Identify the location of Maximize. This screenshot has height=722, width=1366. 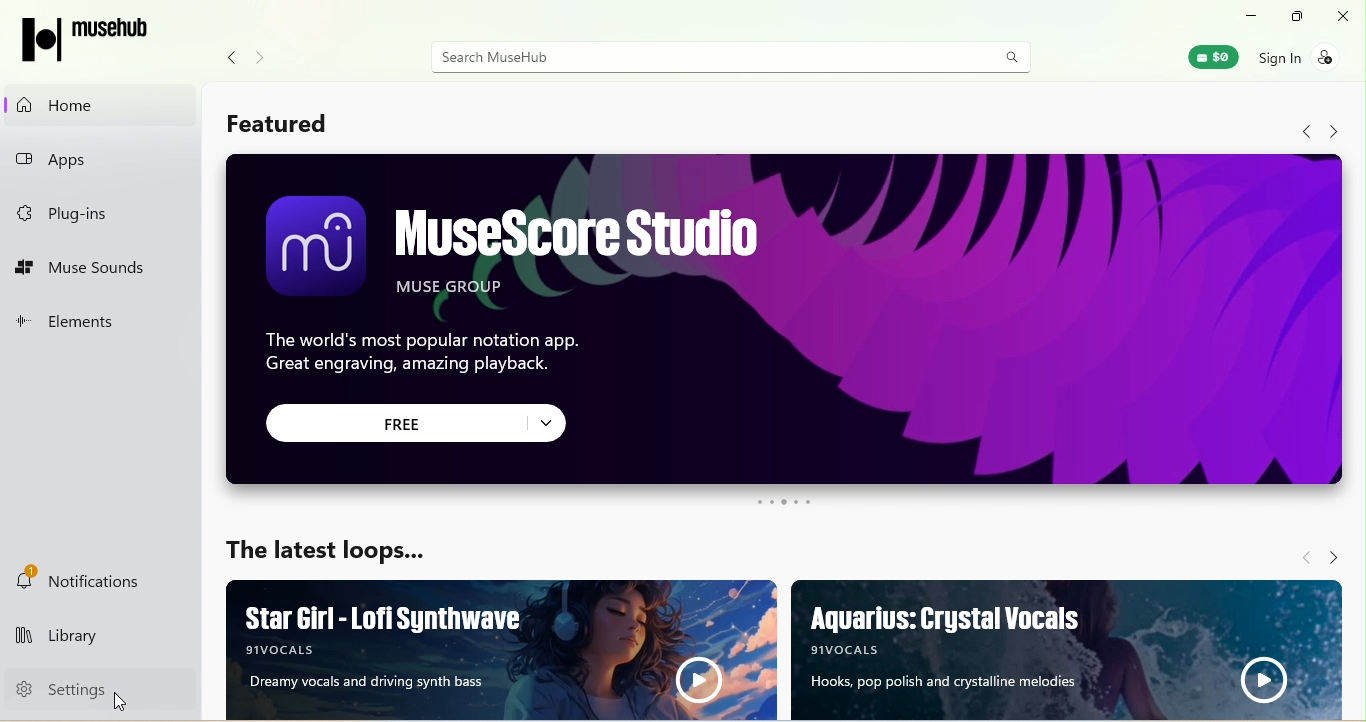
(1292, 17).